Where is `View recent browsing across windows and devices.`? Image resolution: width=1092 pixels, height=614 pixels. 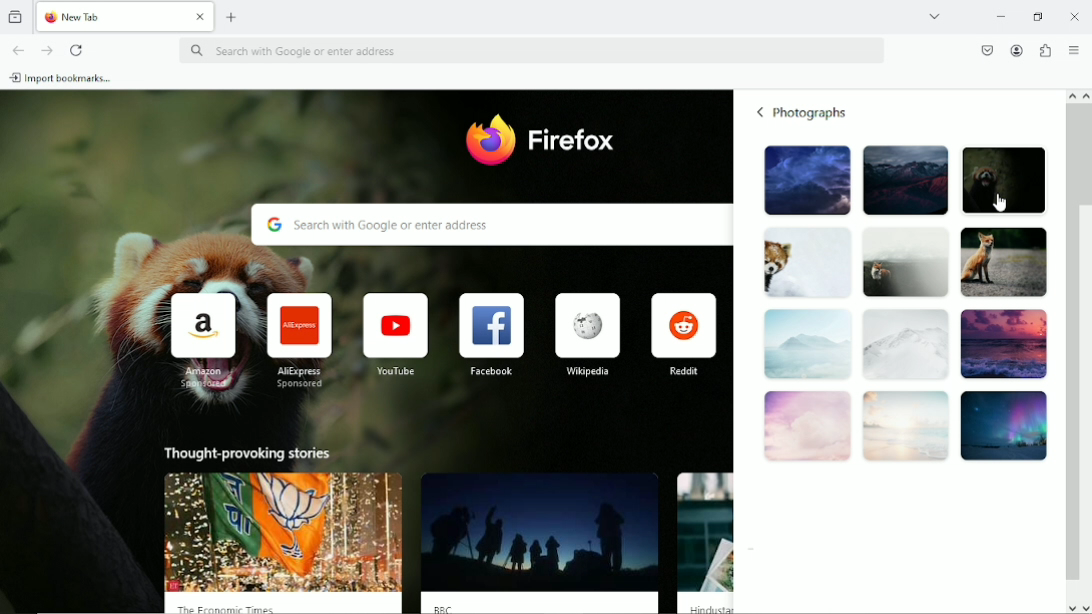 View recent browsing across windows and devices. is located at coordinates (17, 16).